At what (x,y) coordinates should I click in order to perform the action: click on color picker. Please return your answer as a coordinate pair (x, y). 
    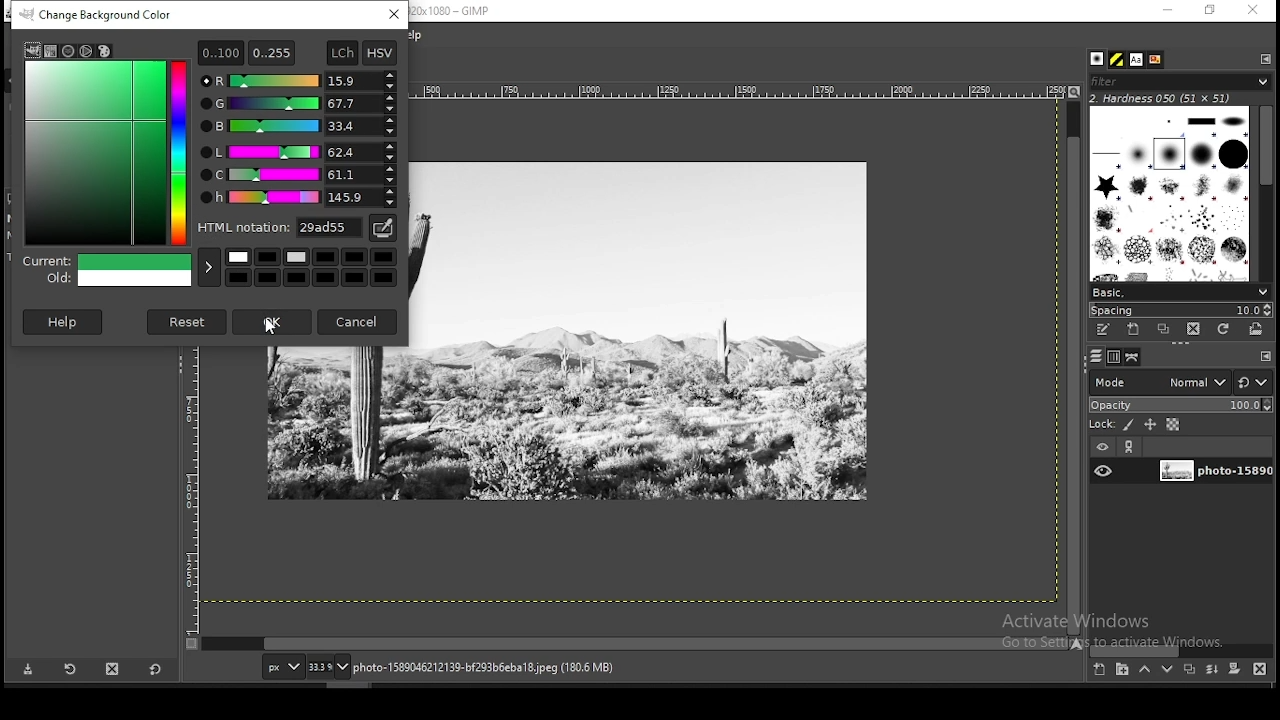
    Looking at the image, I should click on (381, 228).